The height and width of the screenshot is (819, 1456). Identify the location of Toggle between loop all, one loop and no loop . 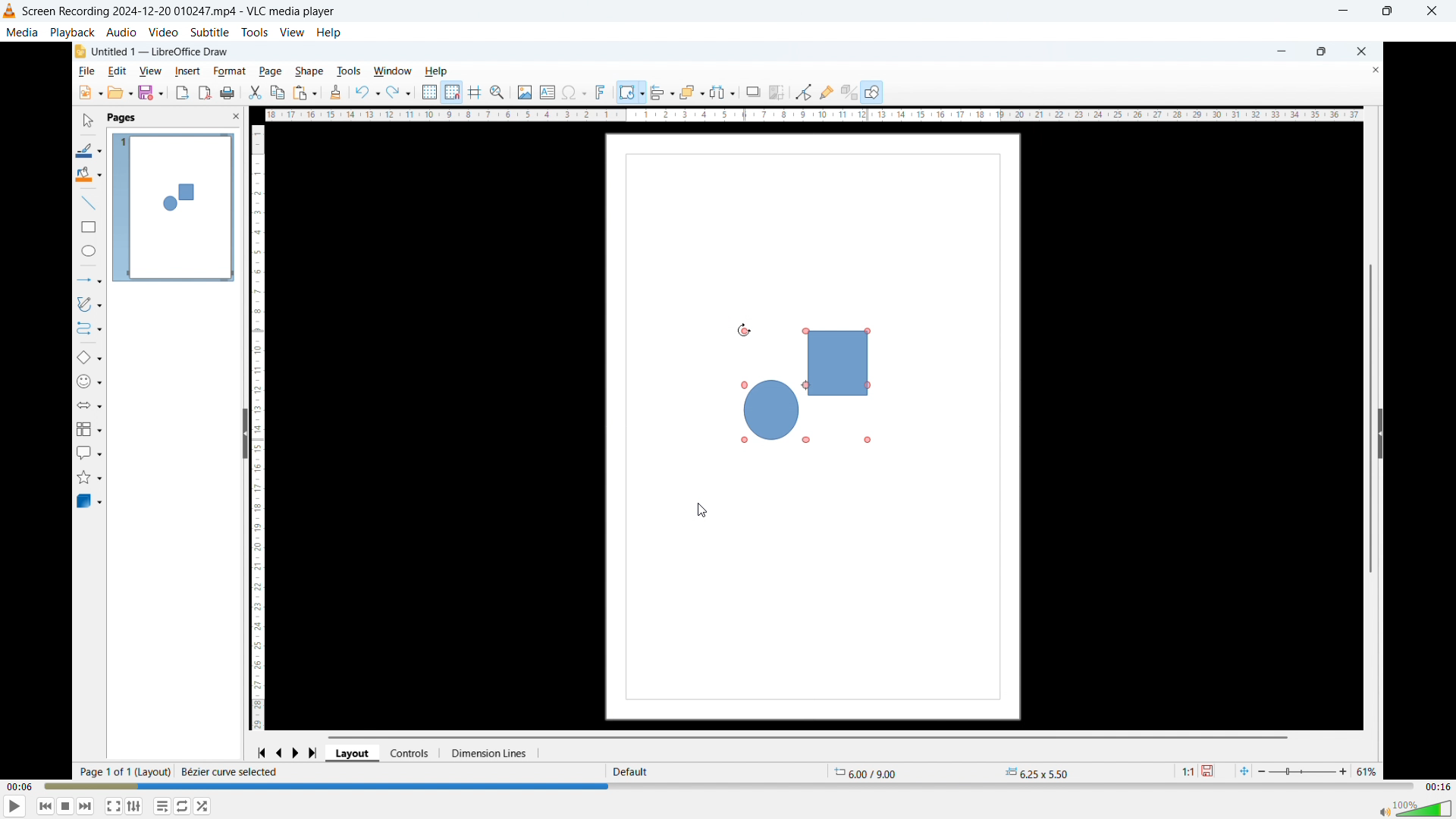
(163, 806).